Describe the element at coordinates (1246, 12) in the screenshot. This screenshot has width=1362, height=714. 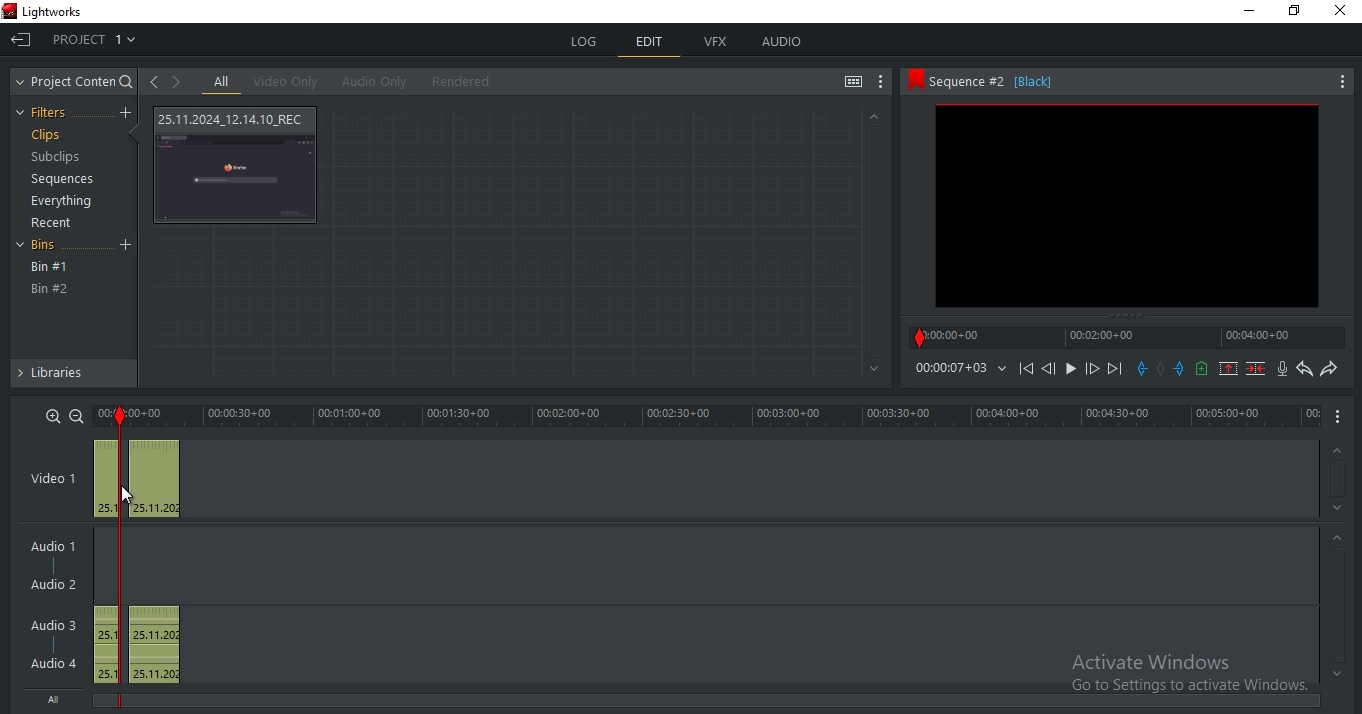
I see `Minimize` at that location.